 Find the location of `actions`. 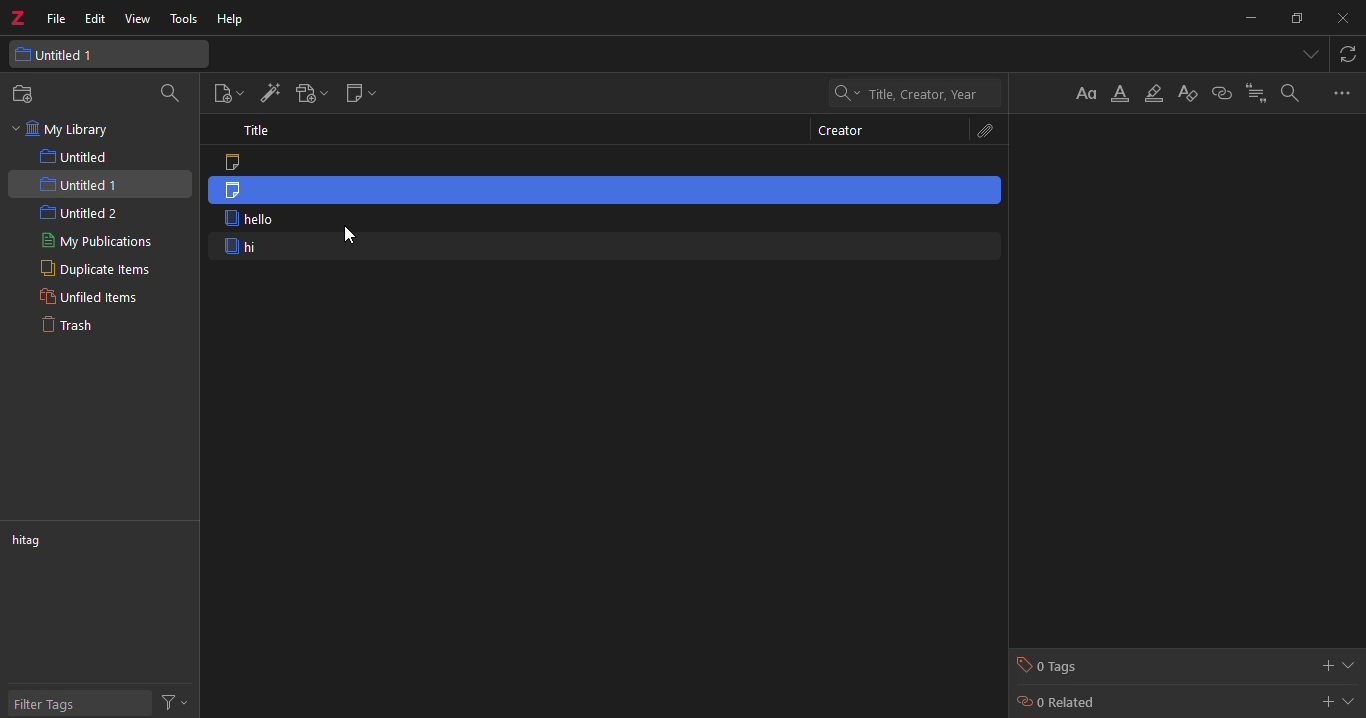

actions is located at coordinates (180, 699).